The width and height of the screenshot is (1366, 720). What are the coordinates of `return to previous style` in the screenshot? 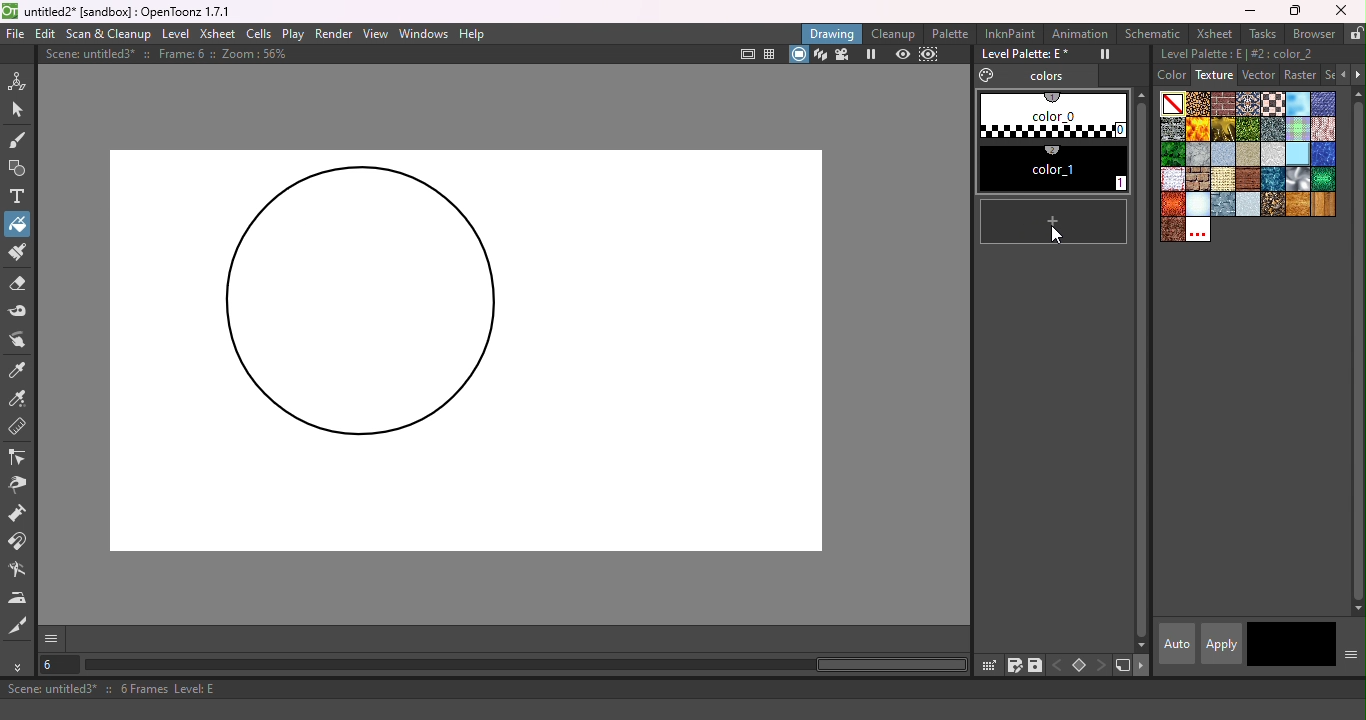 It's located at (1311, 644).